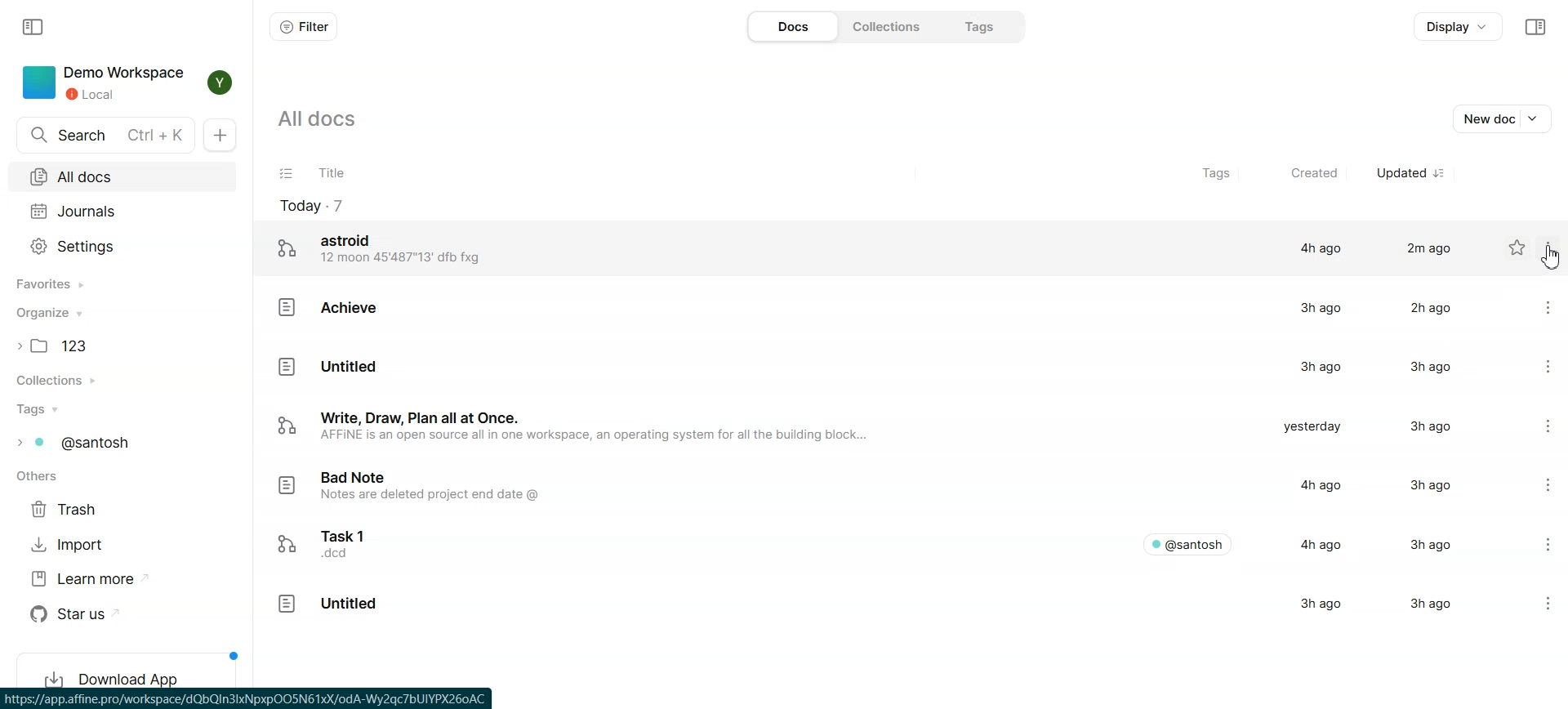 This screenshot has width=1568, height=709. What do you see at coordinates (36, 478) in the screenshot?
I see `others` at bounding box center [36, 478].